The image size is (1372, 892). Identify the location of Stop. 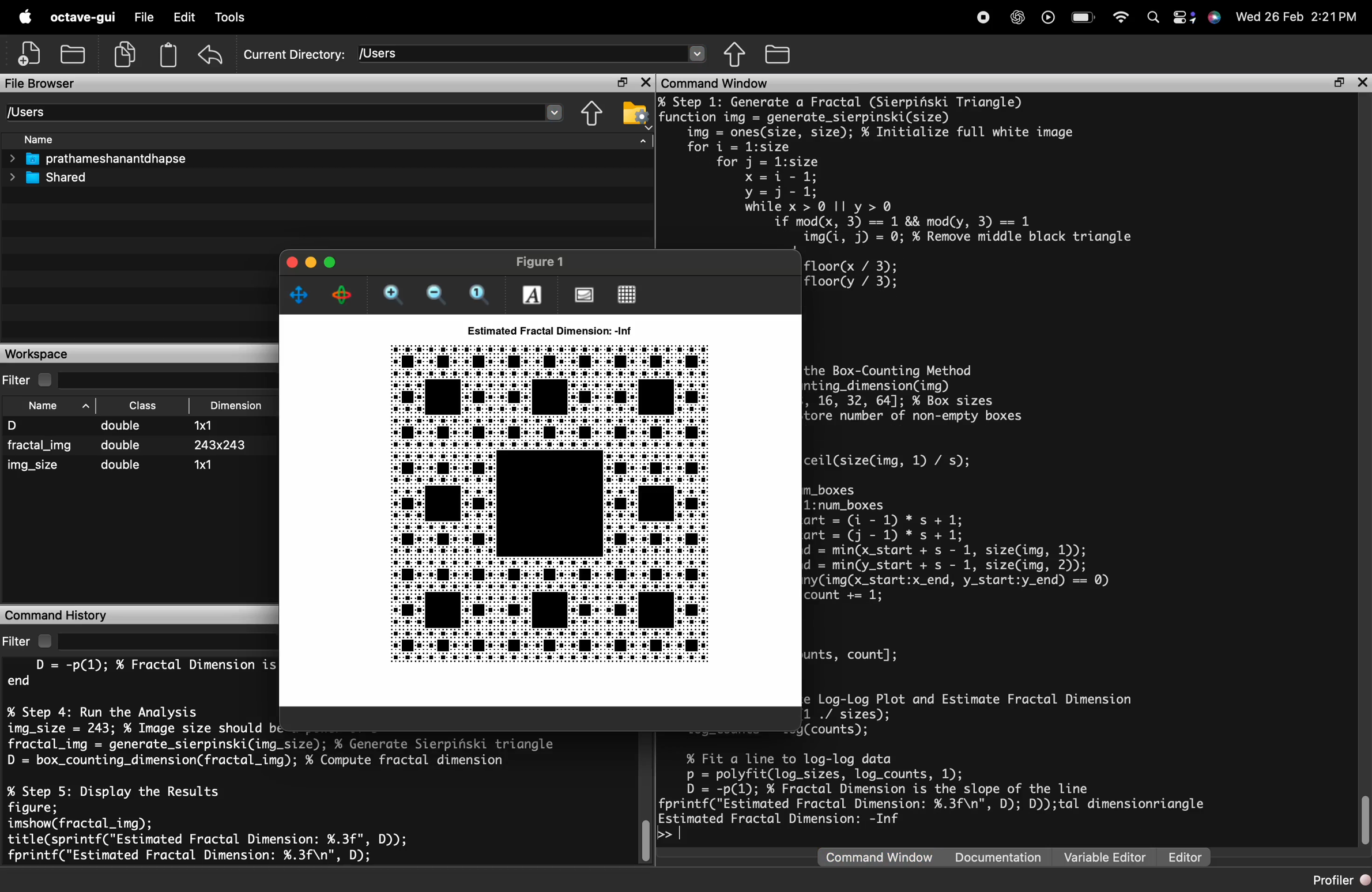
(985, 16).